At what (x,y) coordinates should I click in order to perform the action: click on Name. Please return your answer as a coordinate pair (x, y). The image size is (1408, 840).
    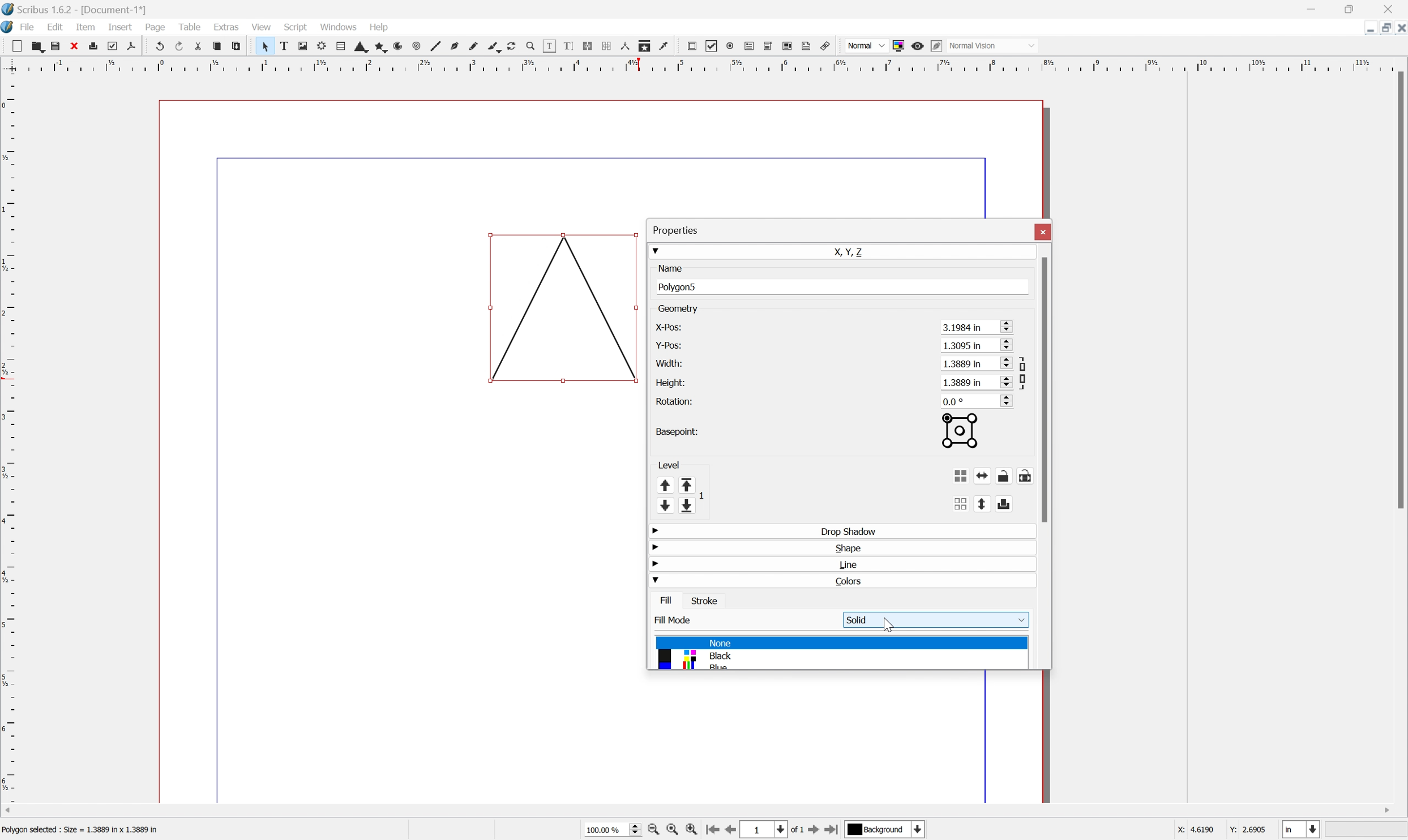
    Looking at the image, I should click on (670, 268).